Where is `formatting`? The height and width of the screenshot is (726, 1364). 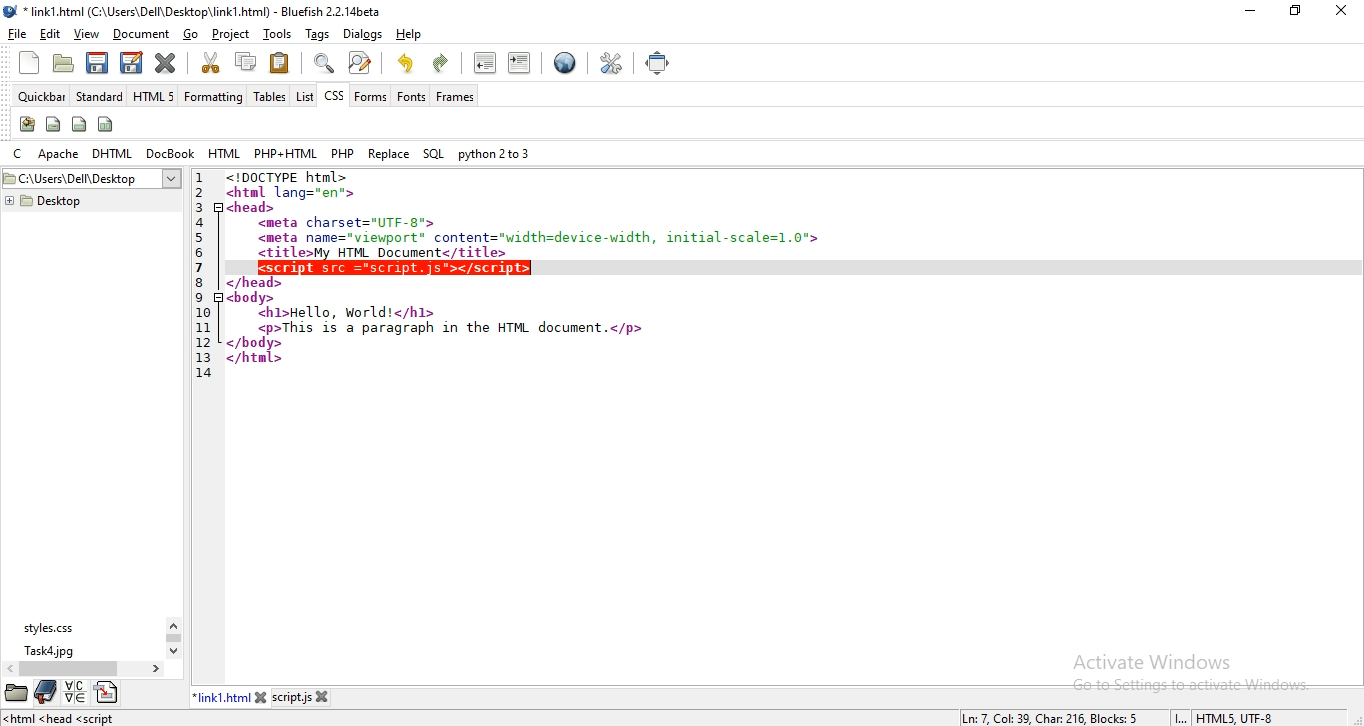
formatting is located at coordinates (214, 96).